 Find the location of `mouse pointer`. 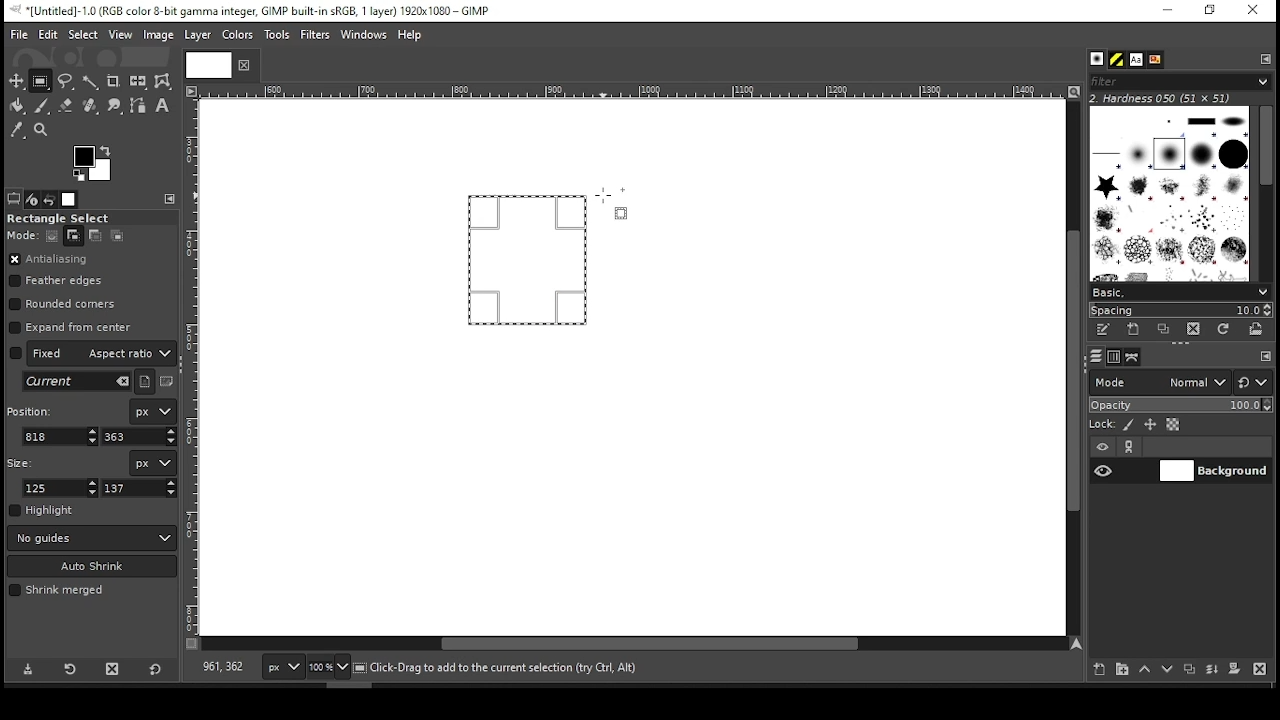

mouse pointer is located at coordinates (610, 202).